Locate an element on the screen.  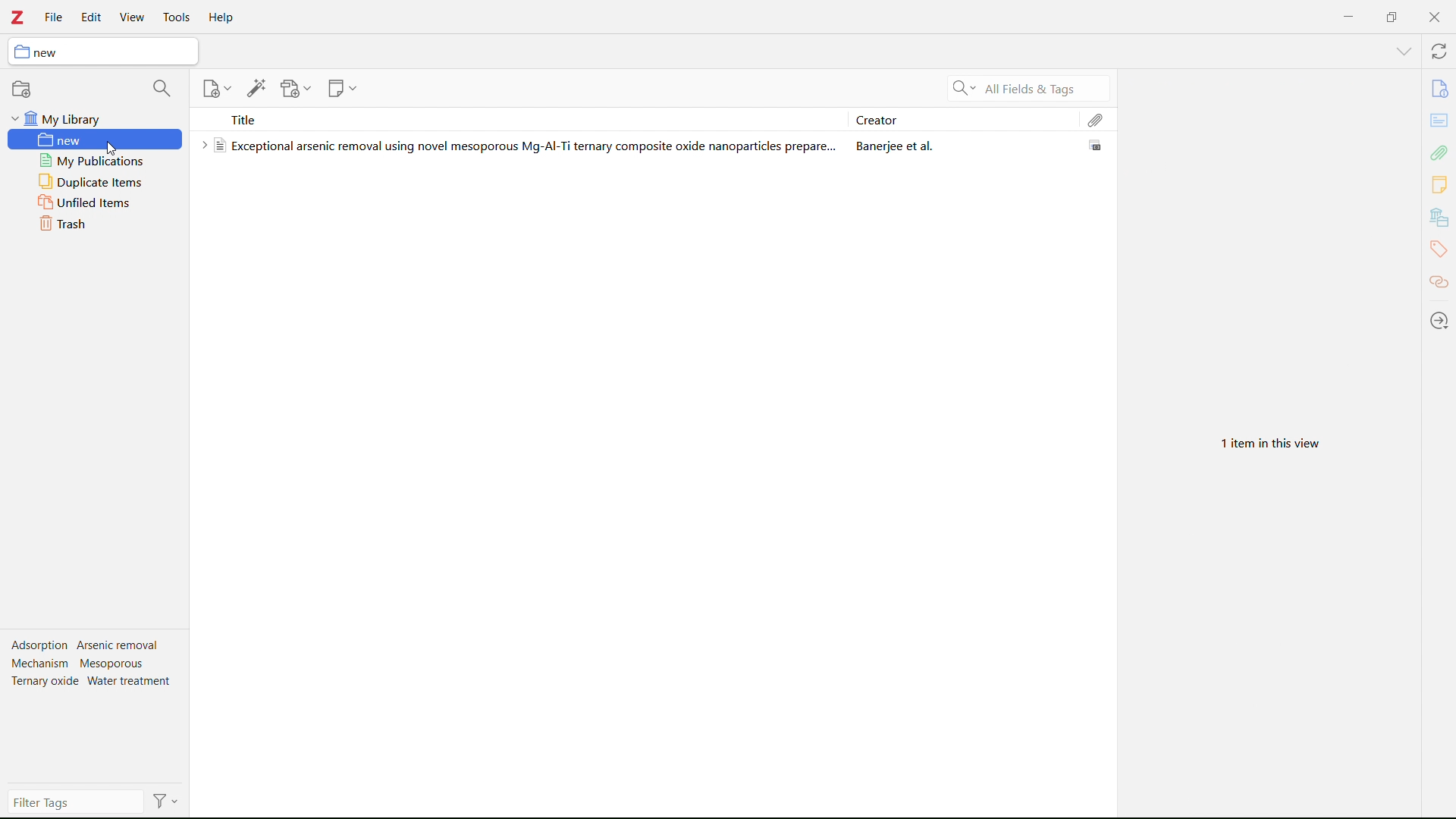
new collection is located at coordinates (23, 88).